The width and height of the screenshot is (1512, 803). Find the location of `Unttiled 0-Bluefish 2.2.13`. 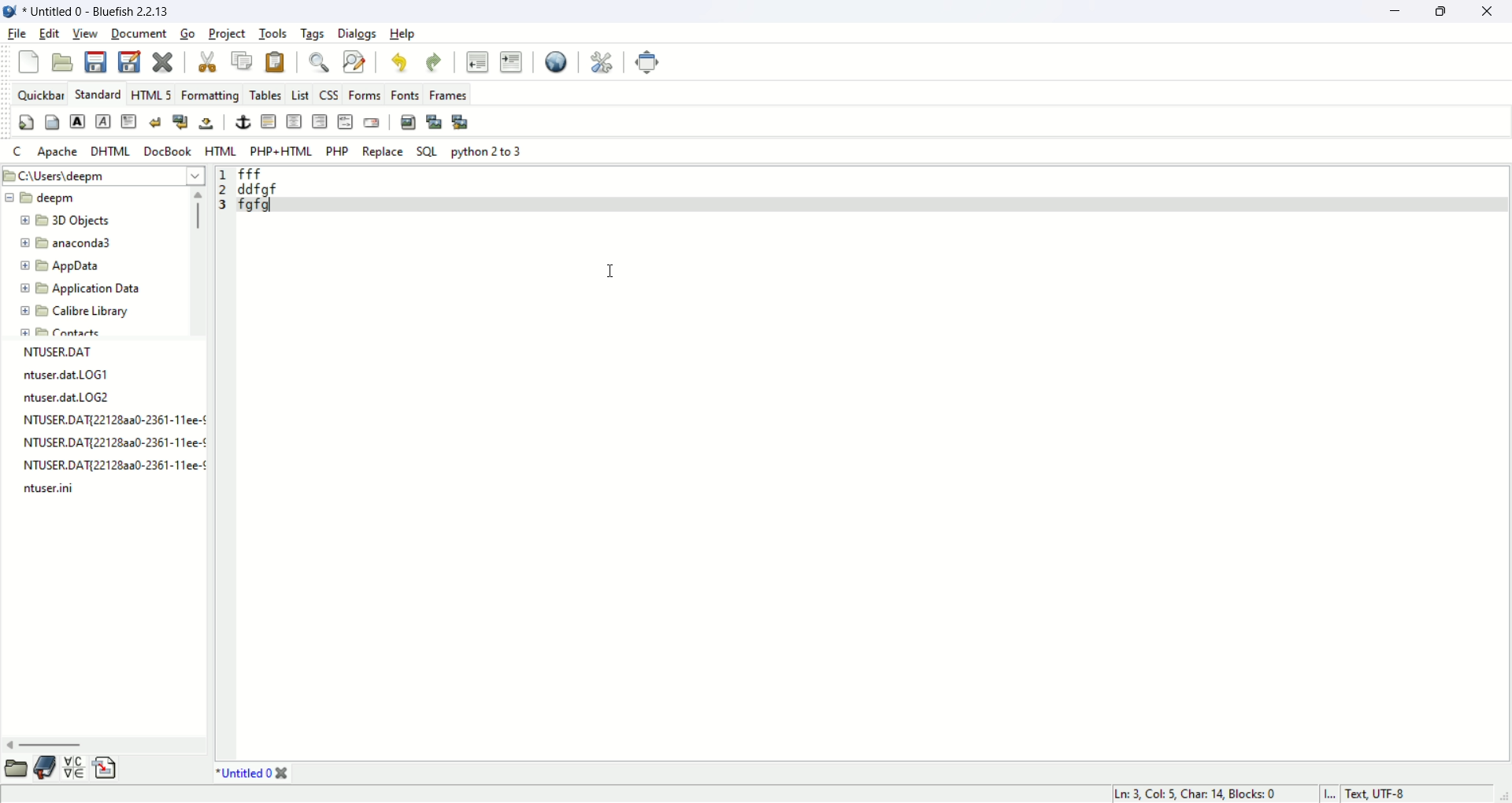

Unttiled 0-Bluefish 2.2.13 is located at coordinates (99, 12).